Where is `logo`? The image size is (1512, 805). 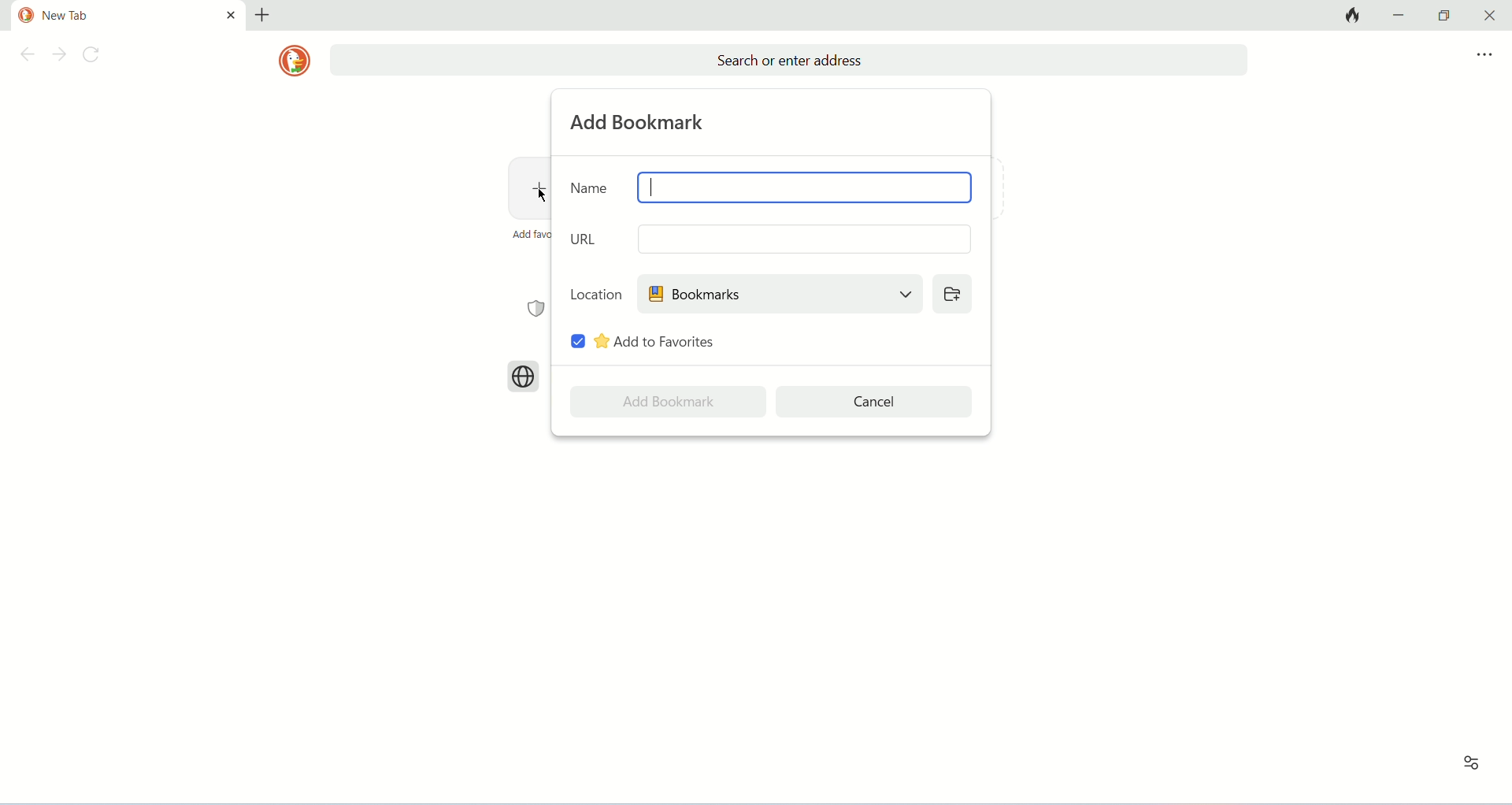
logo is located at coordinates (294, 61).